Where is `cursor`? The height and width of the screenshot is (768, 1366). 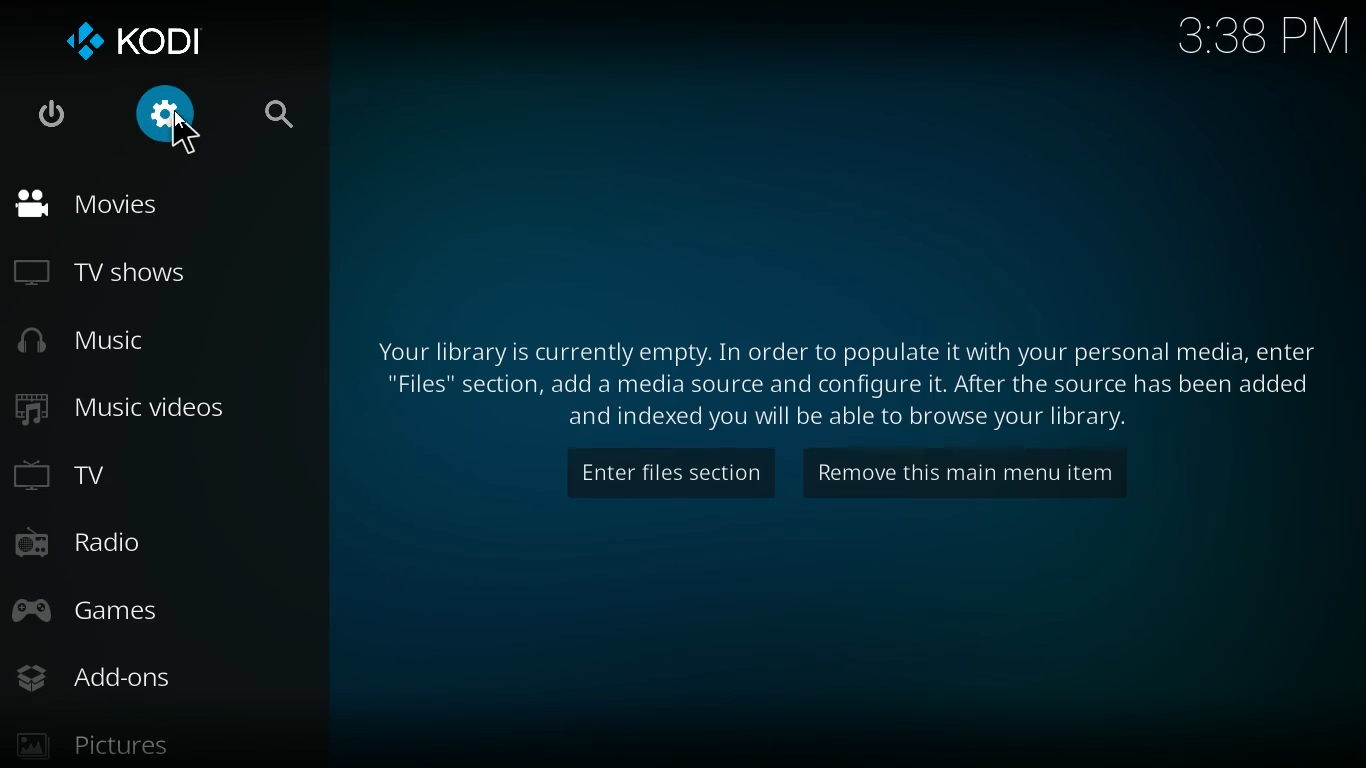
cursor is located at coordinates (192, 136).